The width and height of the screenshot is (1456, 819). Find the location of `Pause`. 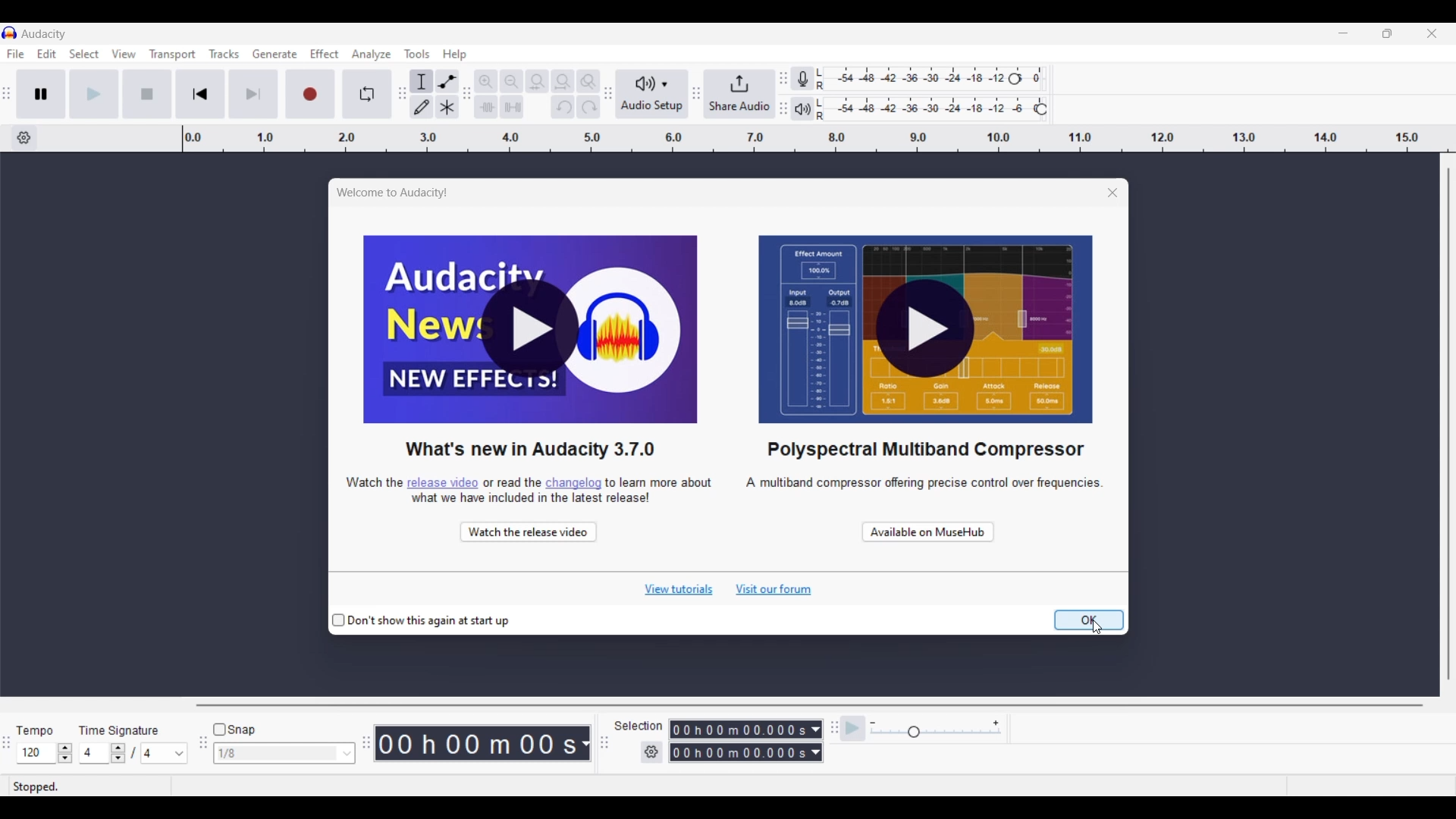

Pause is located at coordinates (41, 94).